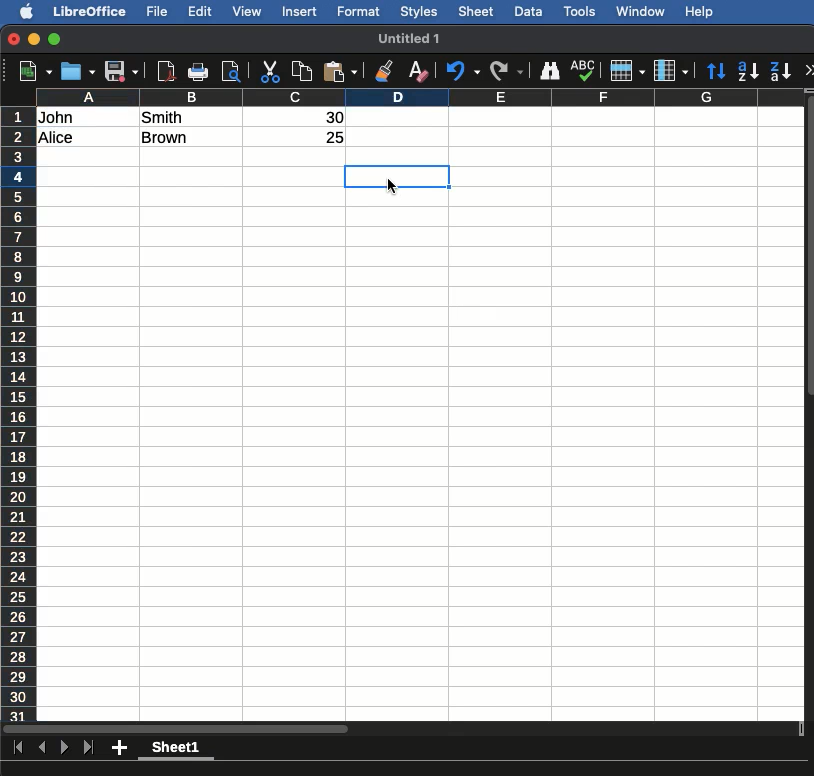 The image size is (814, 776). Describe the element at coordinates (421, 95) in the screenshot. I see `columns` at that location.